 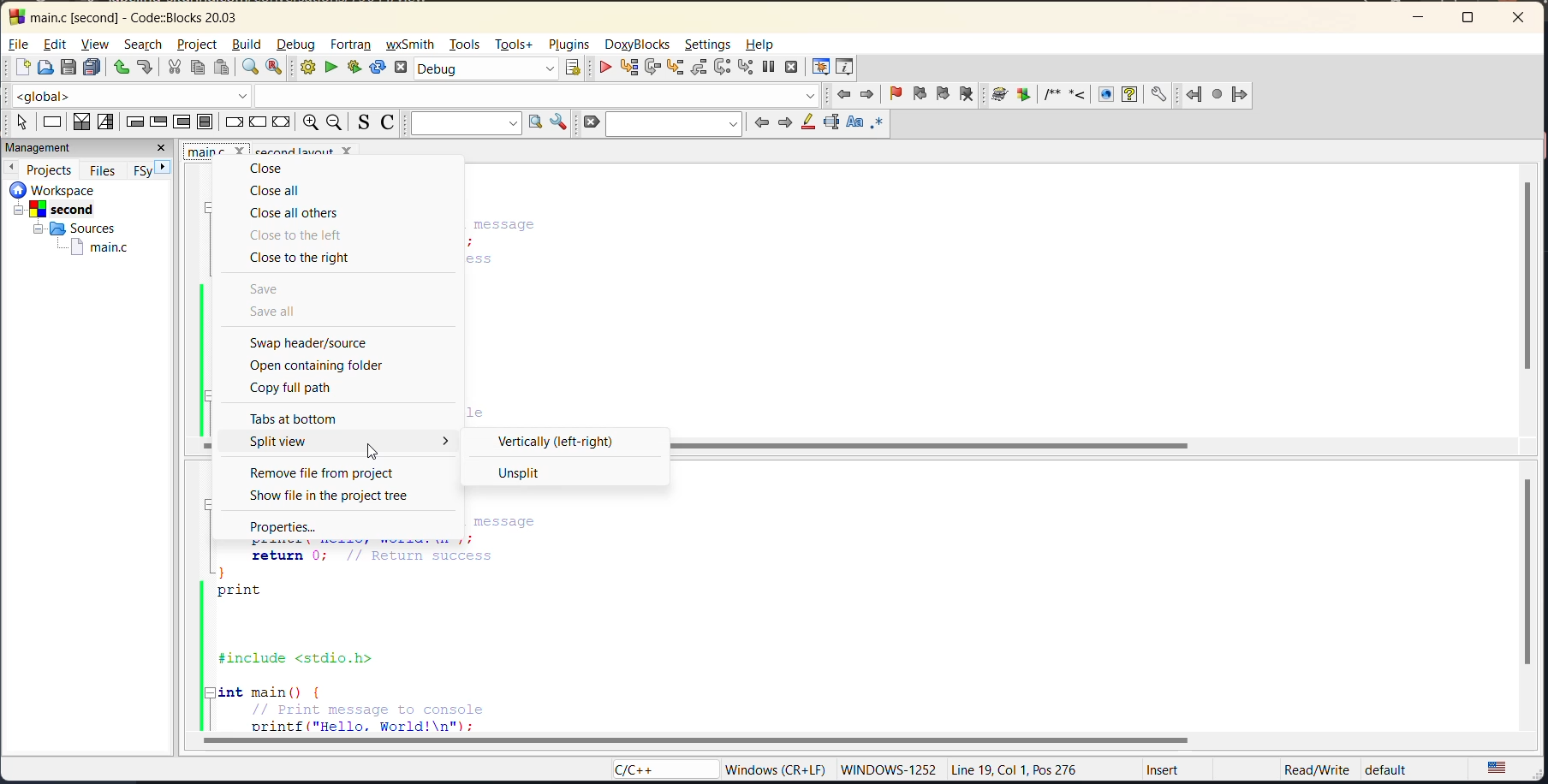 I want to click on run, so click(x=330, y=68).